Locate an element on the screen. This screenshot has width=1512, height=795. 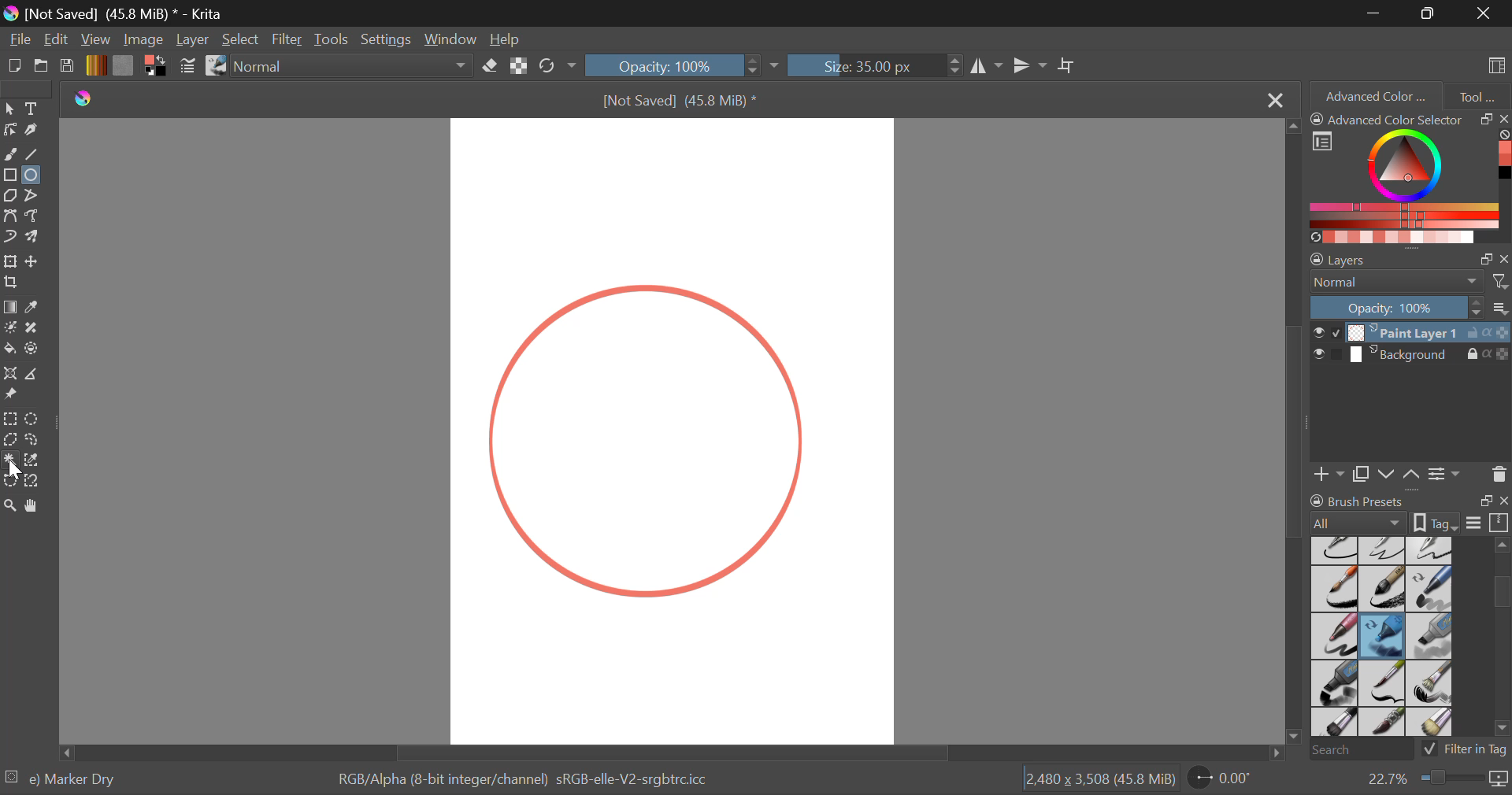
Freehand Selection Tool is located at coordinates (34, 439).